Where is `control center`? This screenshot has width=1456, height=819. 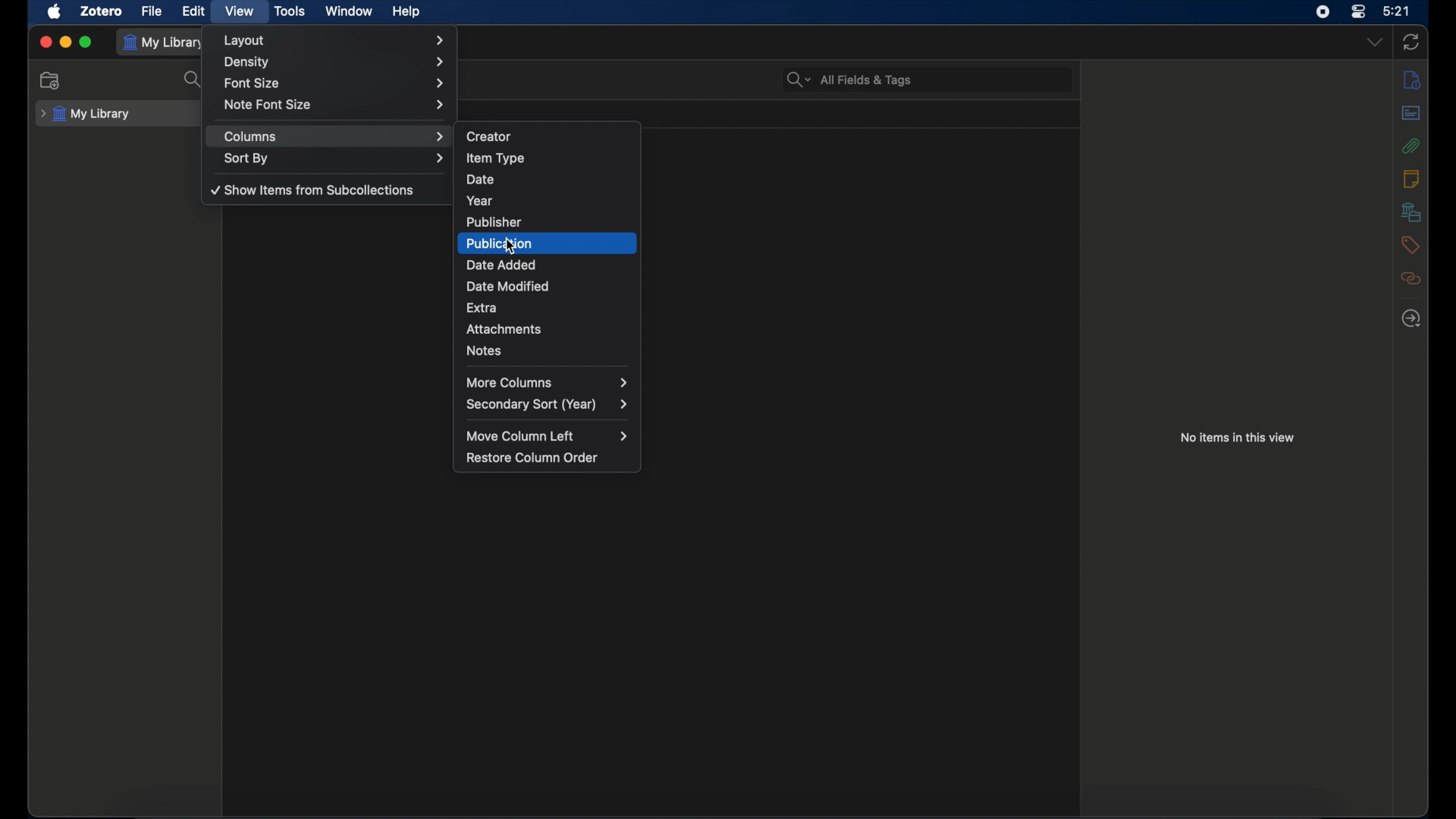
control center is located at coordinates (1359, 11).